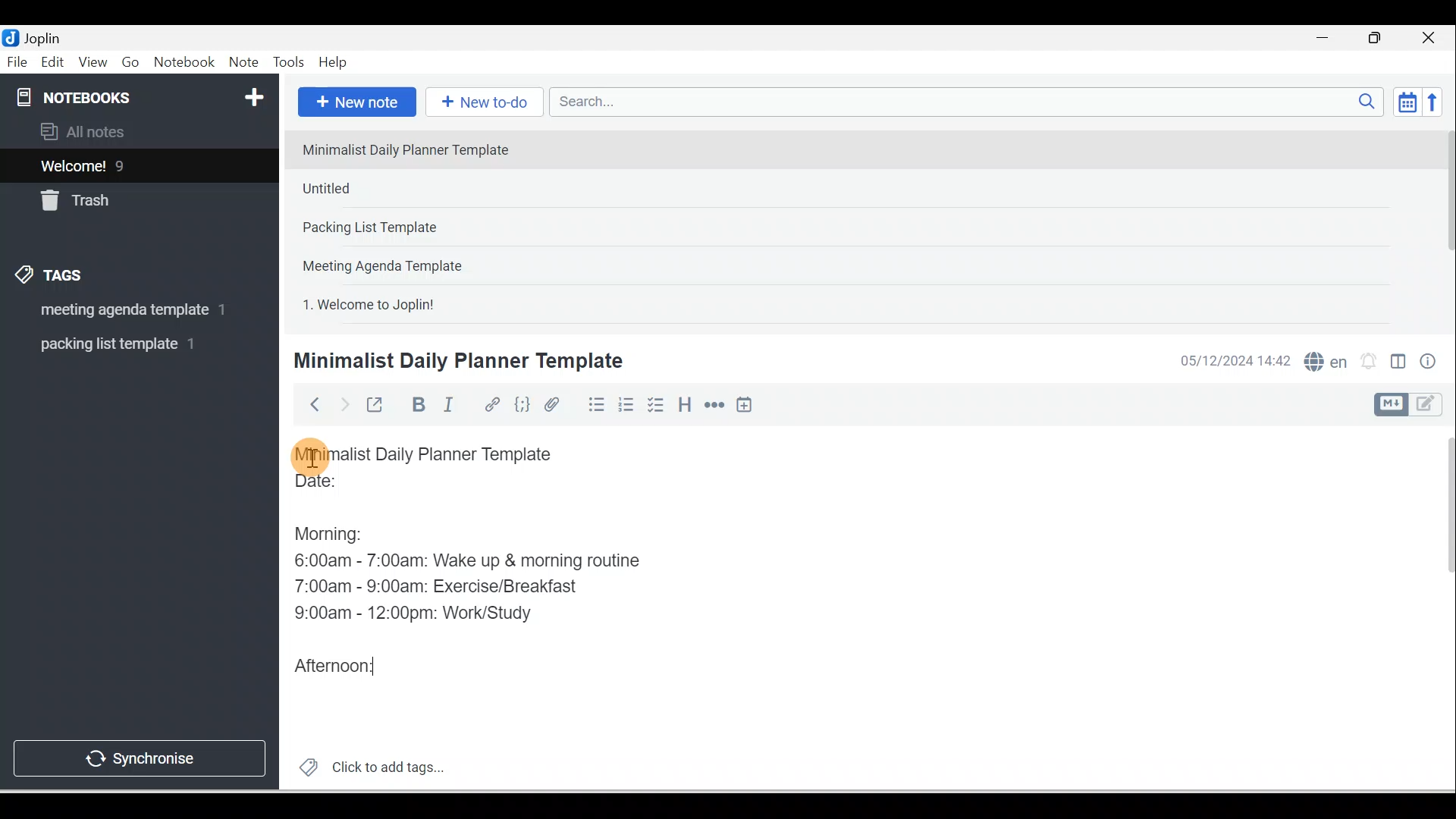  Describe the element at coordinates (456, 361) in the screenshot. I see `Minimalist Daily Planner Template` at that location.